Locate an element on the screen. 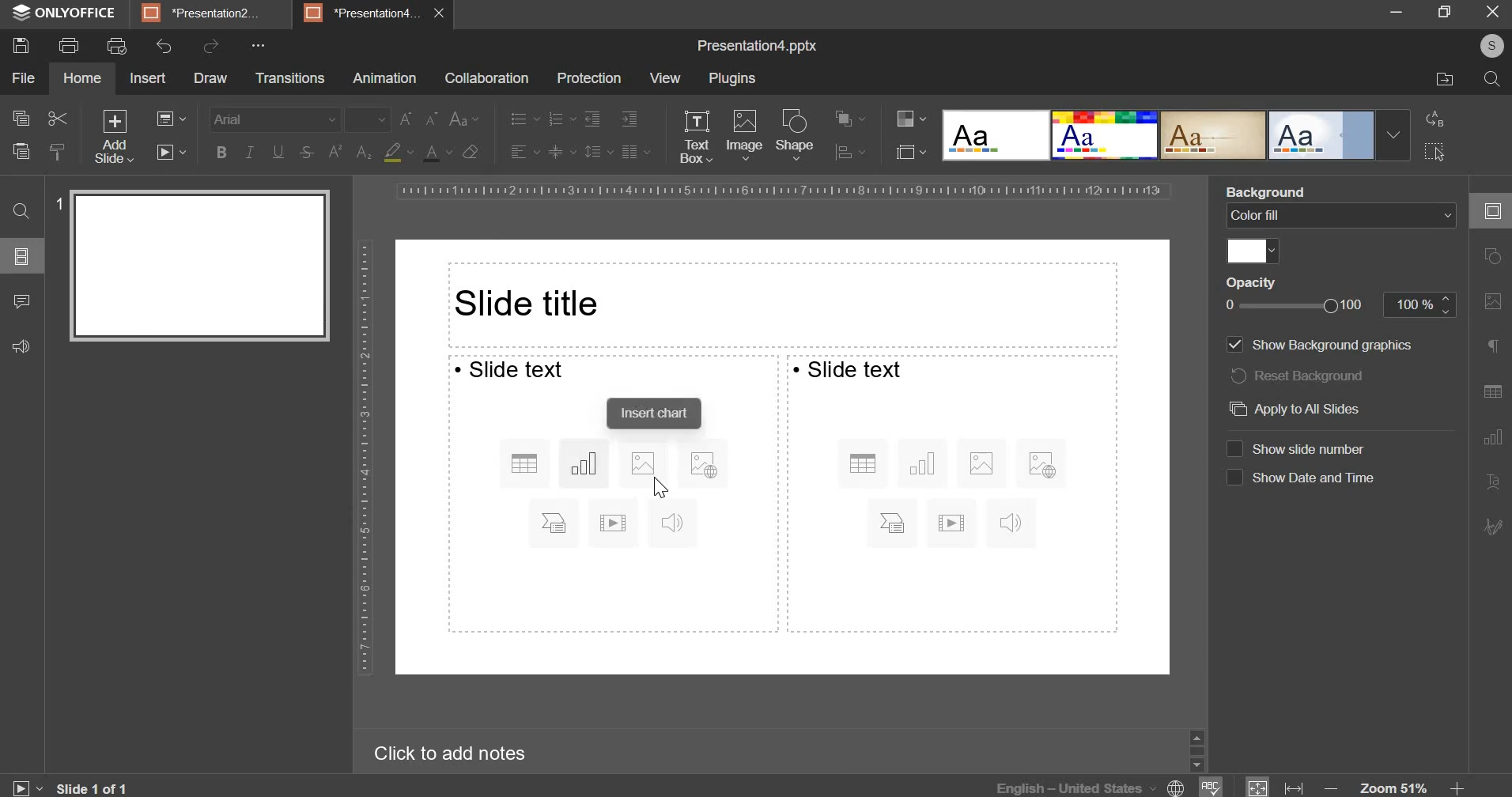 The image size is (1512, 797). check box is located at coordinates (1233, 448).